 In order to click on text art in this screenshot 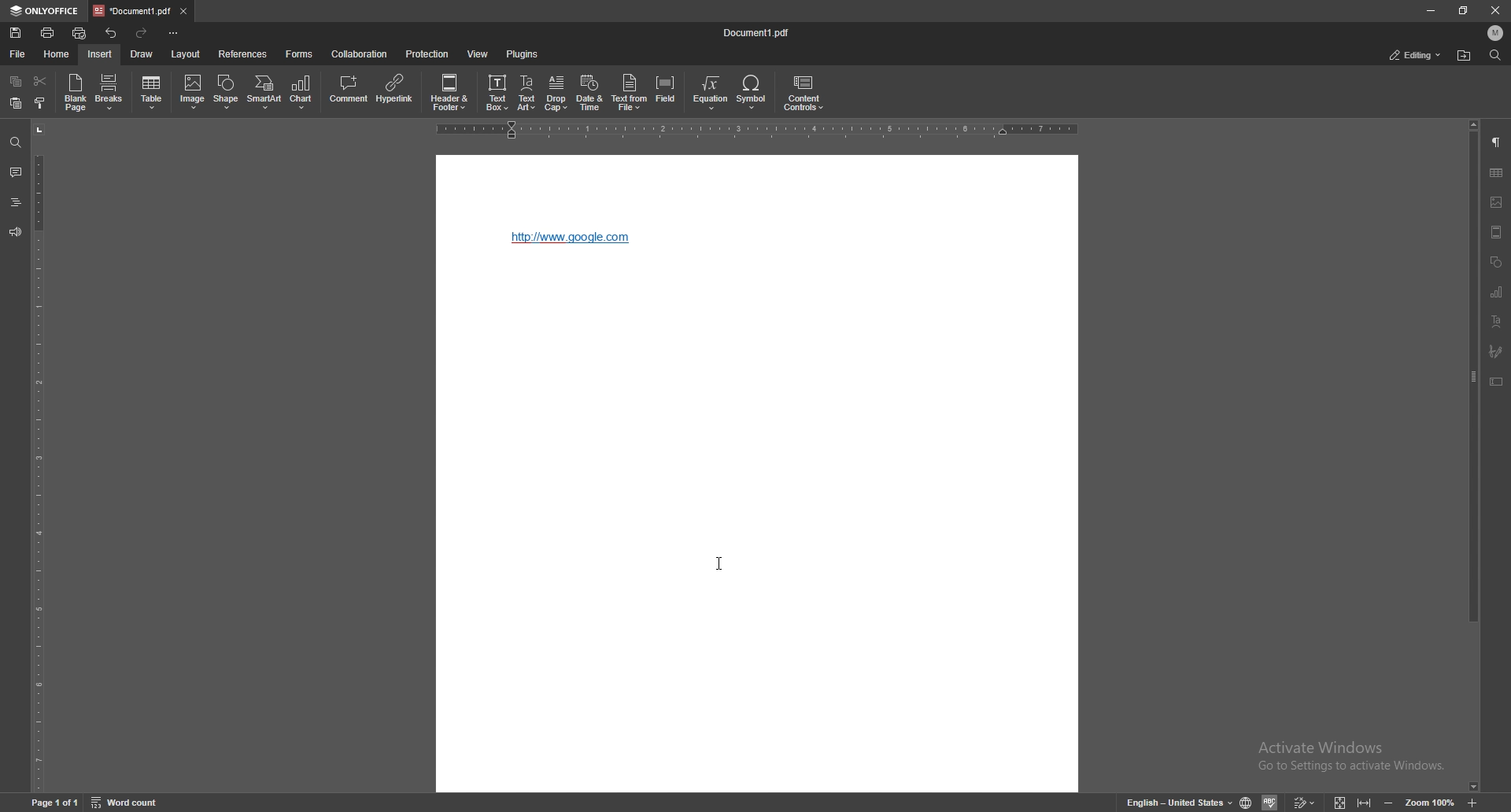, I will do `click(526, 93)`.